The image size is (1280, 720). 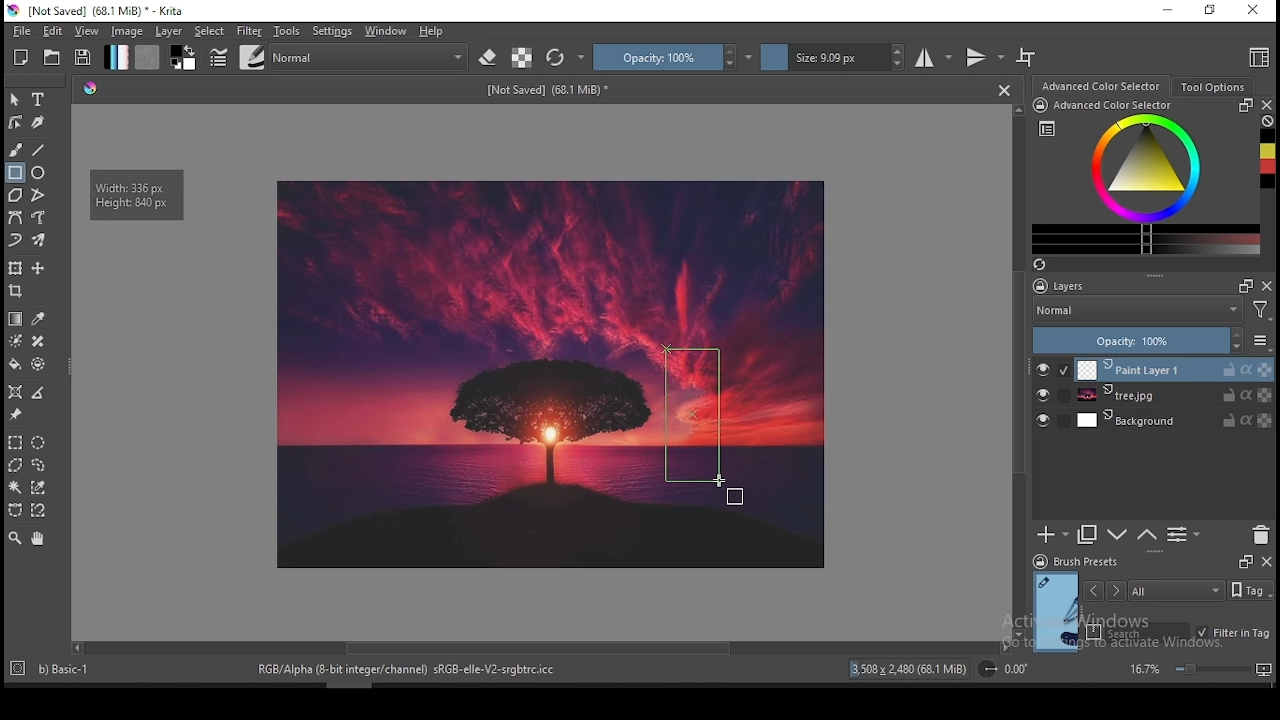 I want to click on layer, so click(x=169, y=32).